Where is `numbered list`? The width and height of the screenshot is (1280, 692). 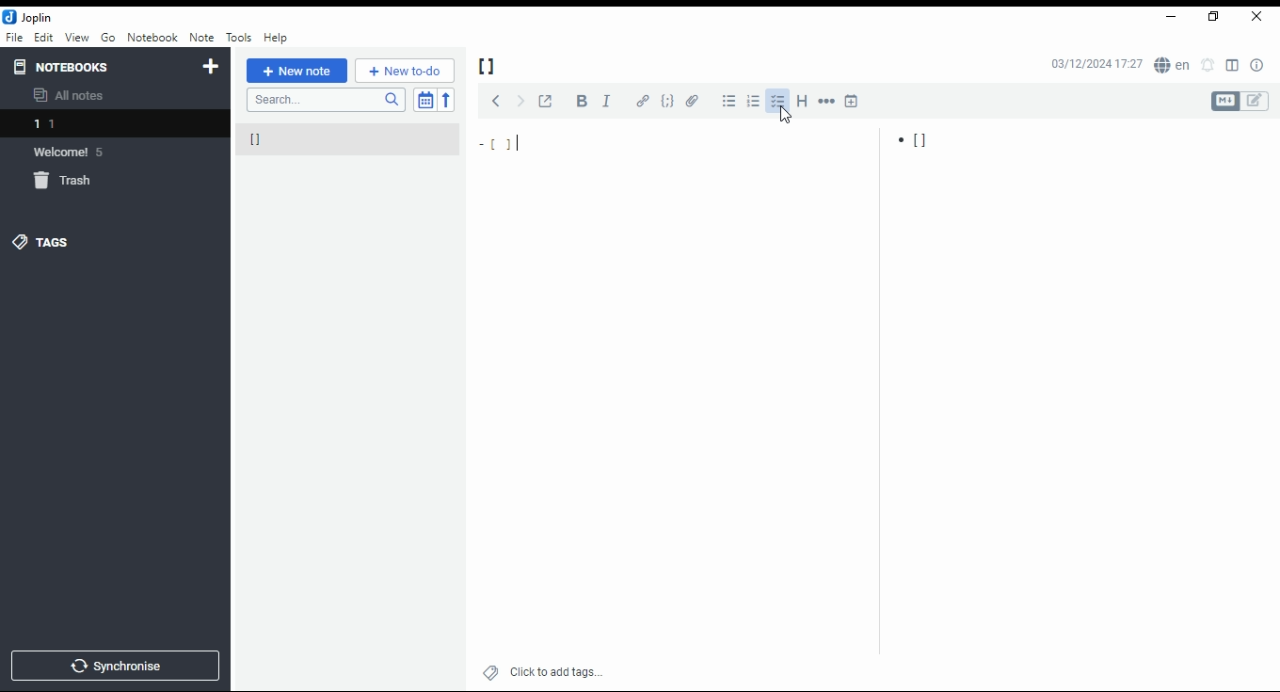 numbered list is located at coordinates (752, 102).